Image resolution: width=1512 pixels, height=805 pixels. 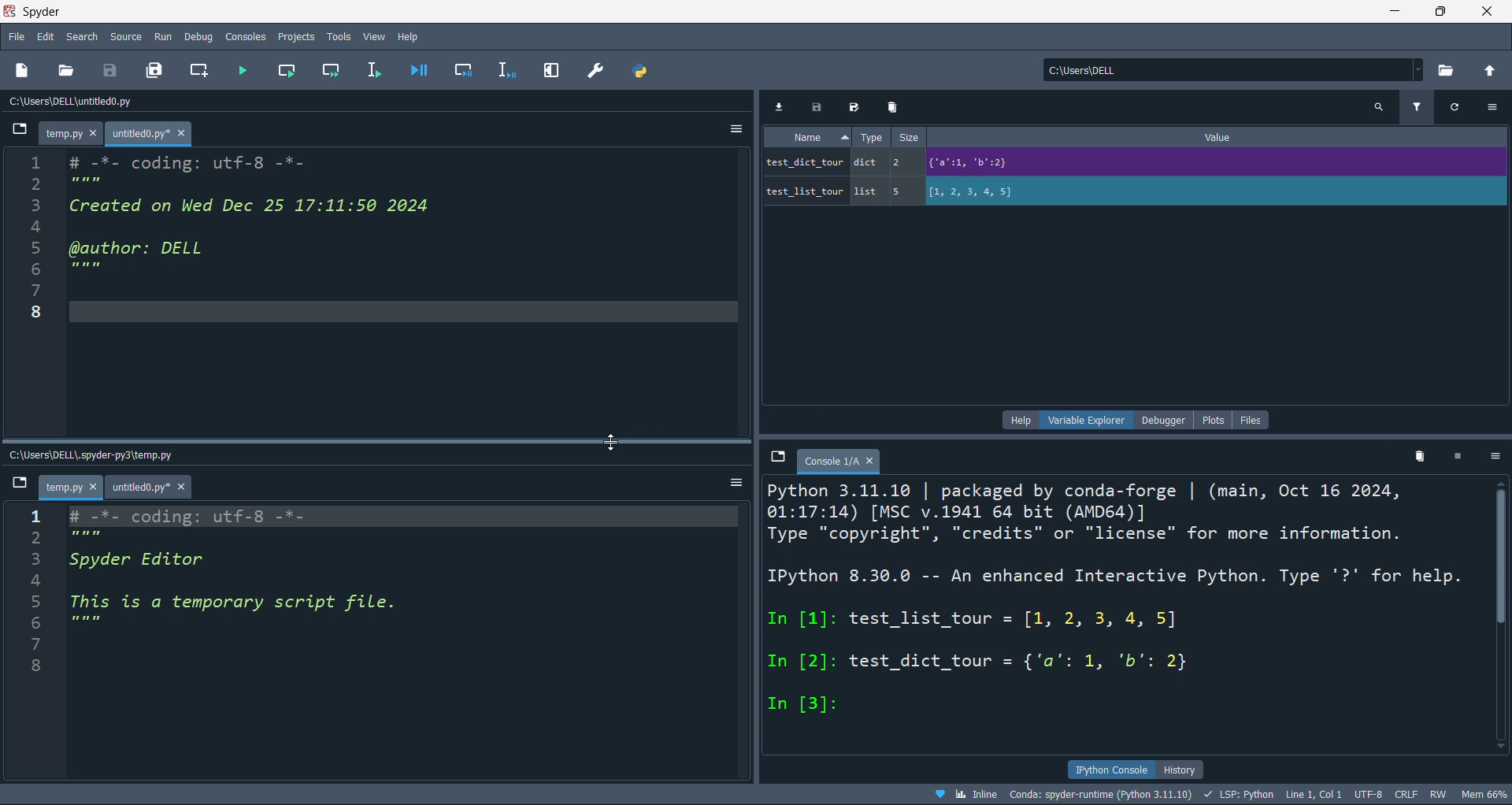 I want to click on consolesn, so click(x=246, y=36).